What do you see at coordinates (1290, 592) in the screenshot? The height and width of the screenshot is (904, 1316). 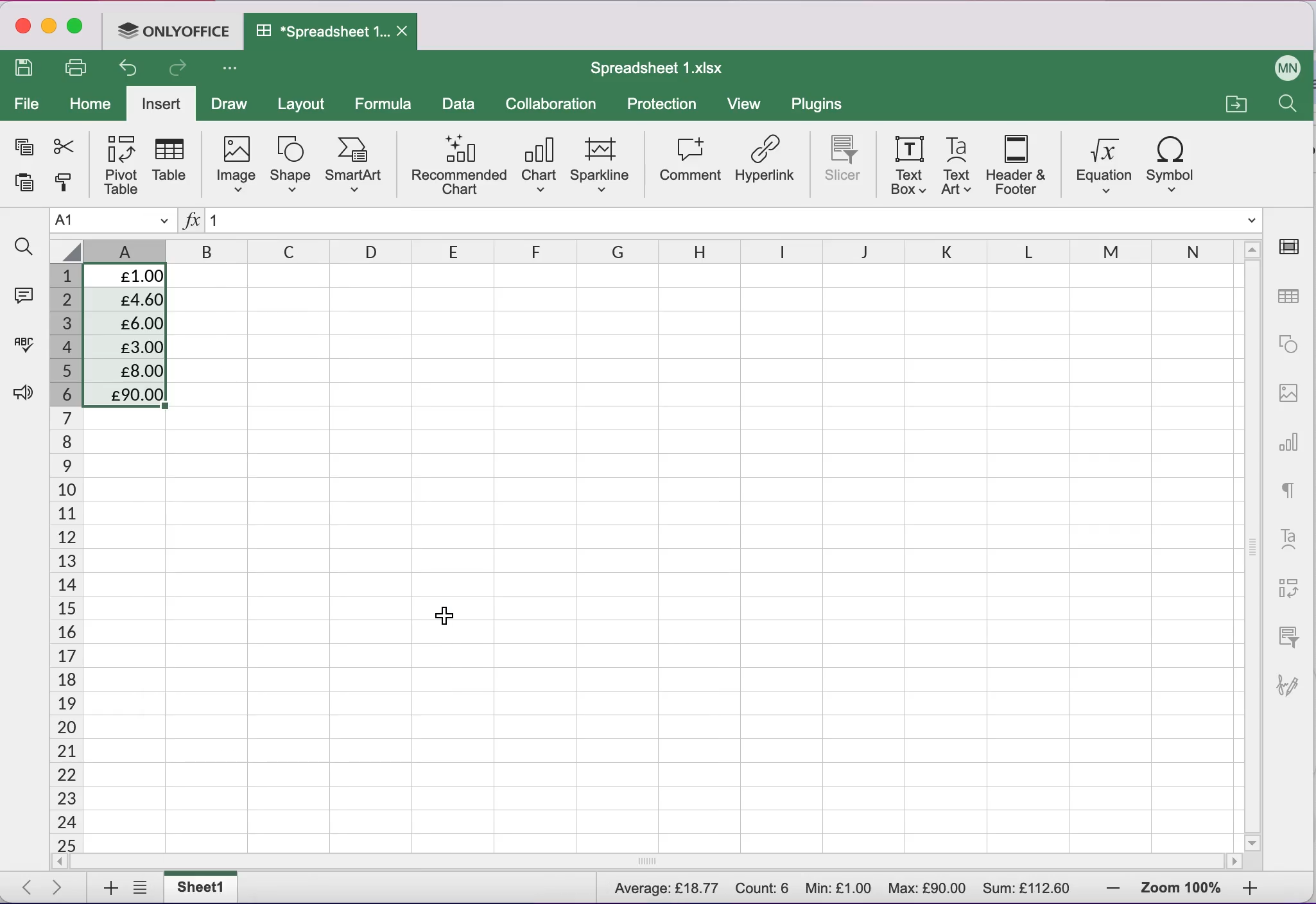 I see `pivot table` at bounding box center [1290, 592].